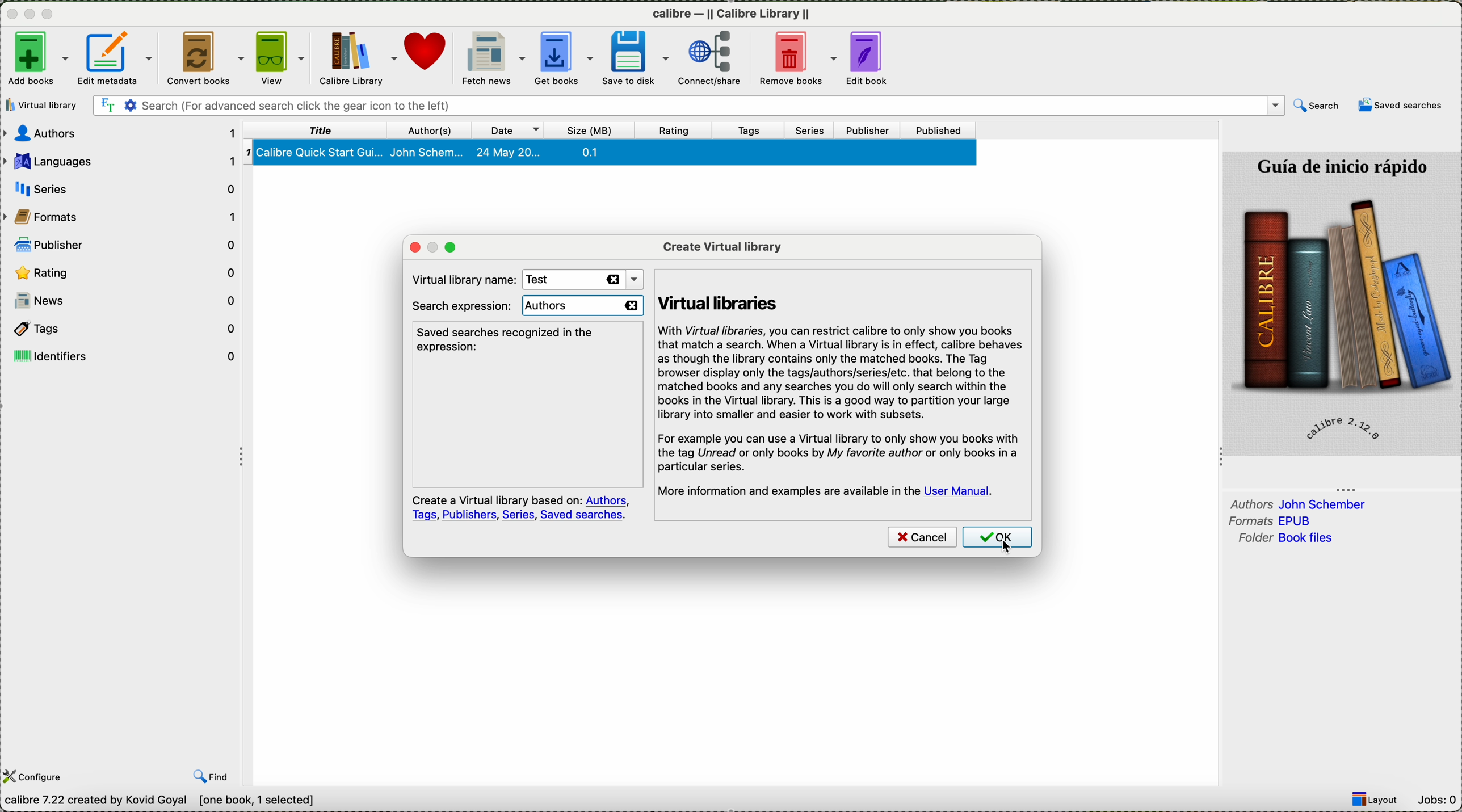 The image size is (1462, 812). Describe the element at coordinates (717, 60) in the screenshot. I see `connect/share` at that location.